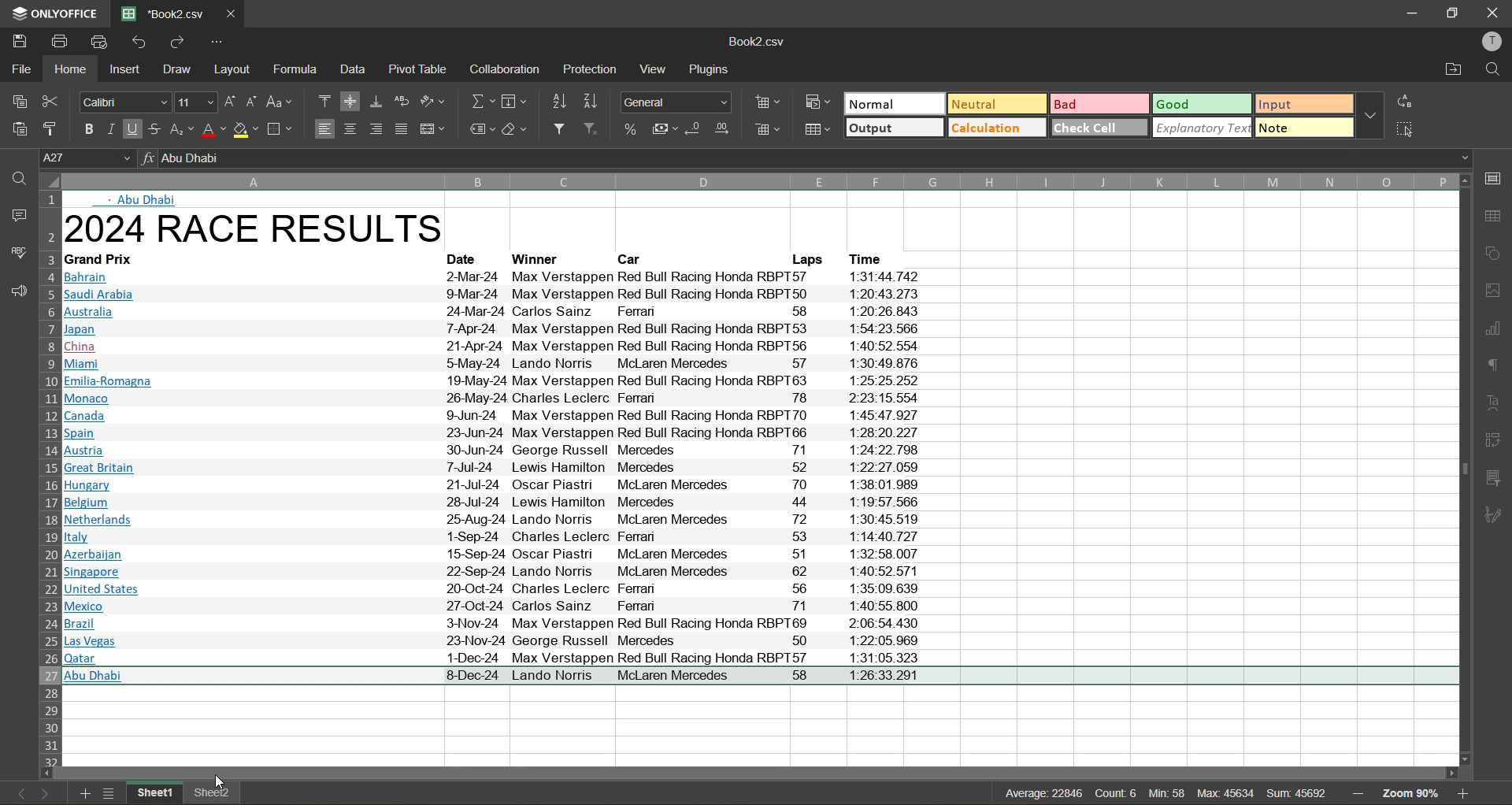 The width and height of the screenshot is (1512, 805). What do you see at coordinates (502, 467) in the screenshot?
I see `text info` at bounding box center [502, 467].